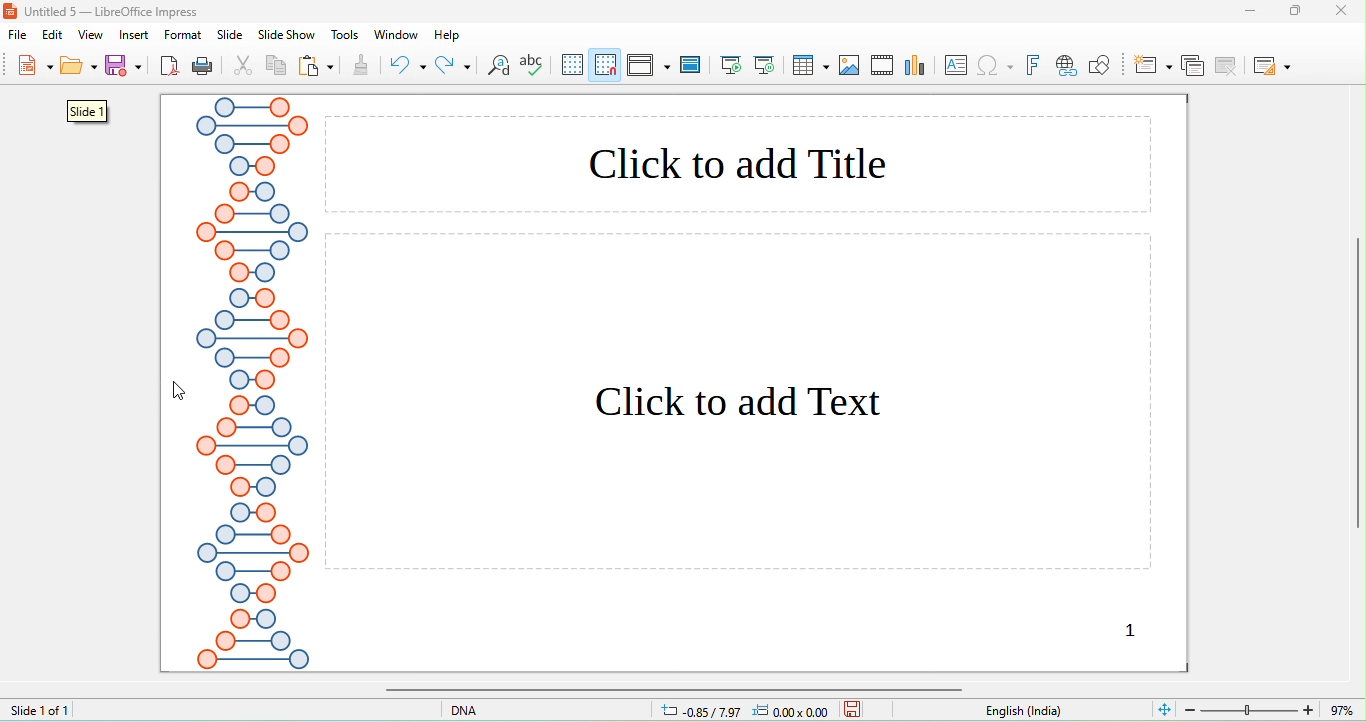 This screenshot has height=722, width=1366. I want to click on vertical scroll bar, so click(1357, 387).